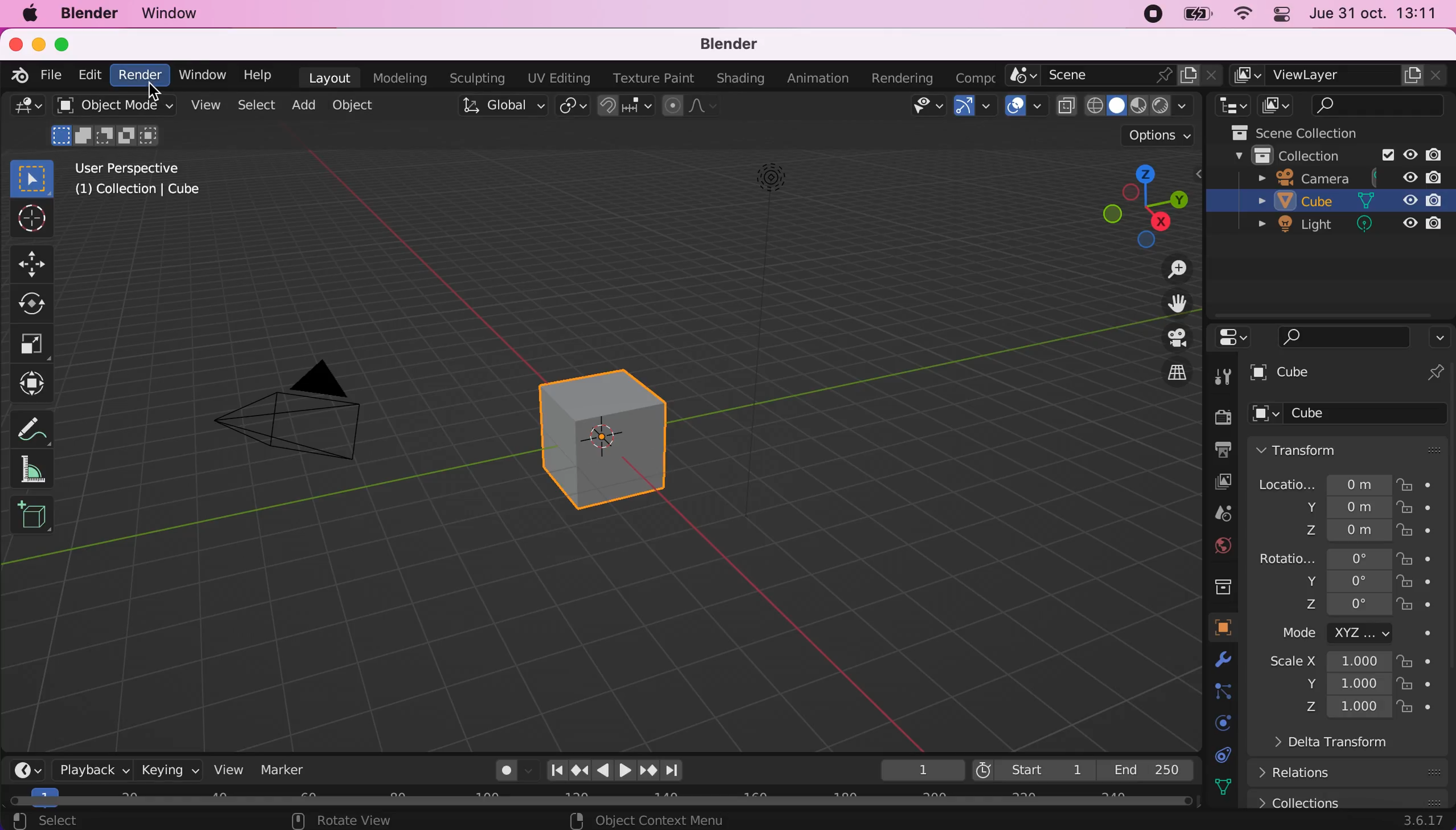 The image size is (1456, 830). What do you see at coordinates (39, 43) in the screenshot?
I see `minimize` at bounding box center [39, 43].